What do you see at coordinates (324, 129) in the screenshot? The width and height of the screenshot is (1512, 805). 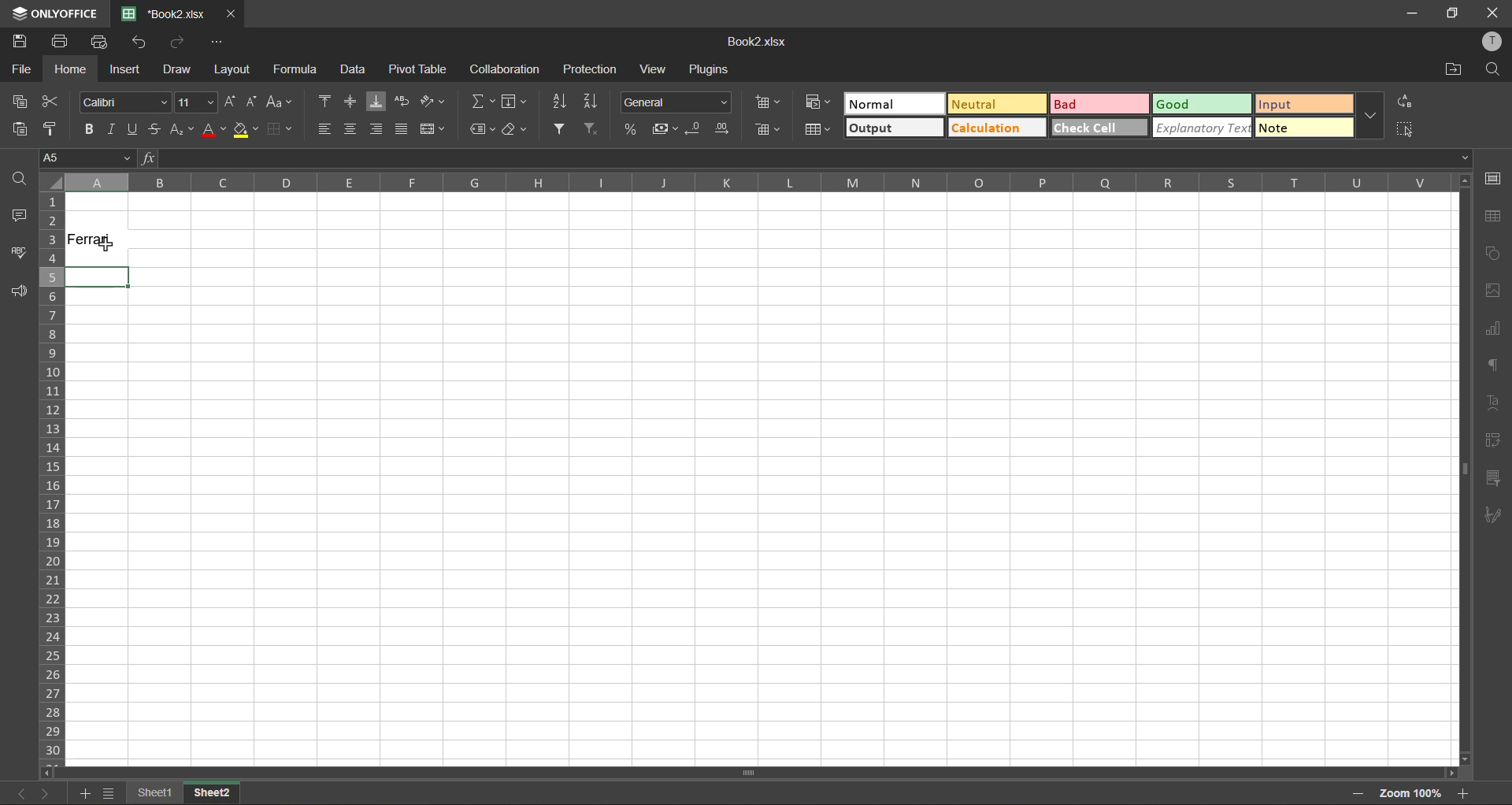 I see `align left` at bounding box center [324, 129].